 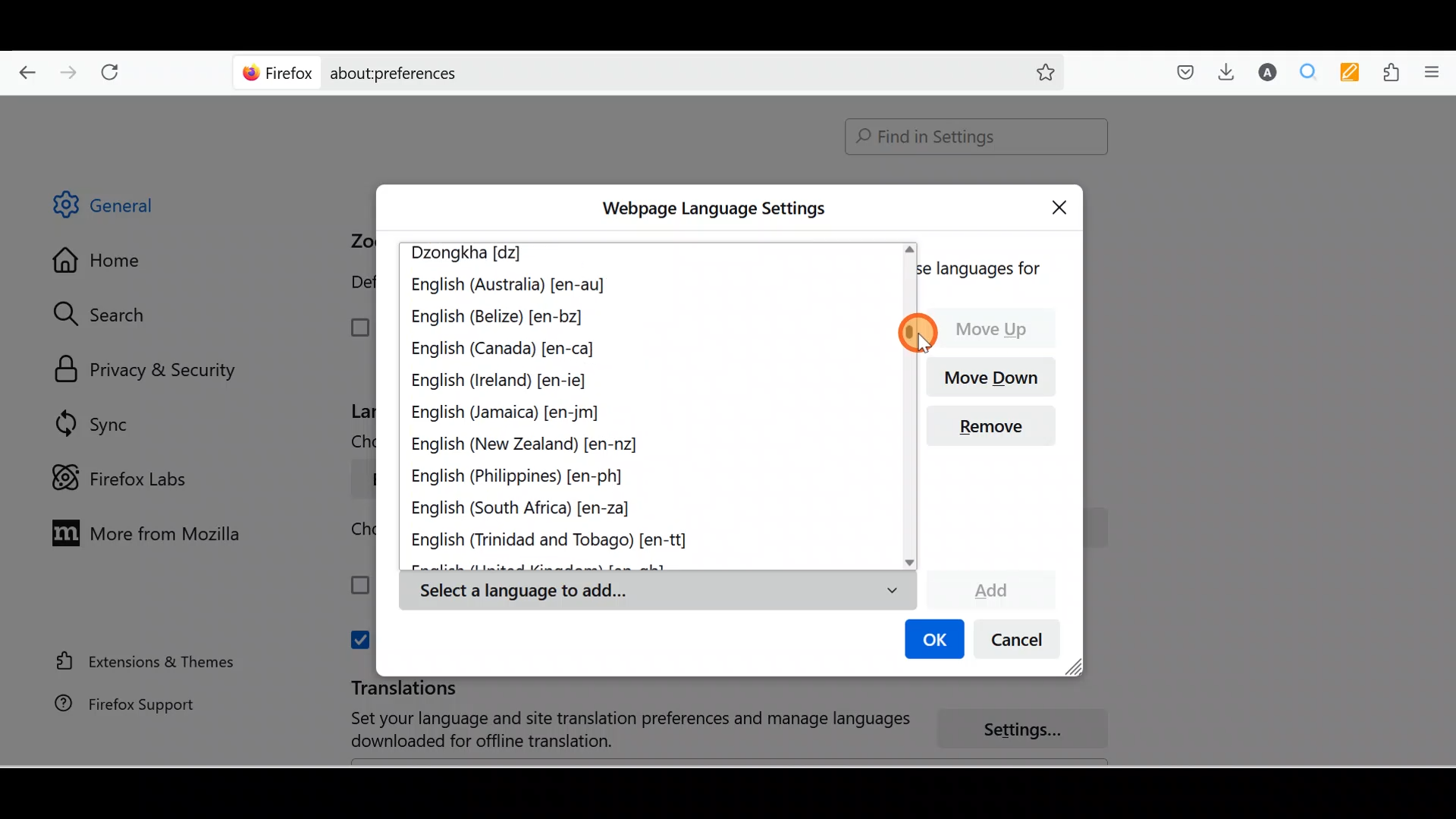 What do you see at coordinates (519, 479) in the screenshot?
I see `English (Philippines) [en-ph]` at bounding box center [519, 479].